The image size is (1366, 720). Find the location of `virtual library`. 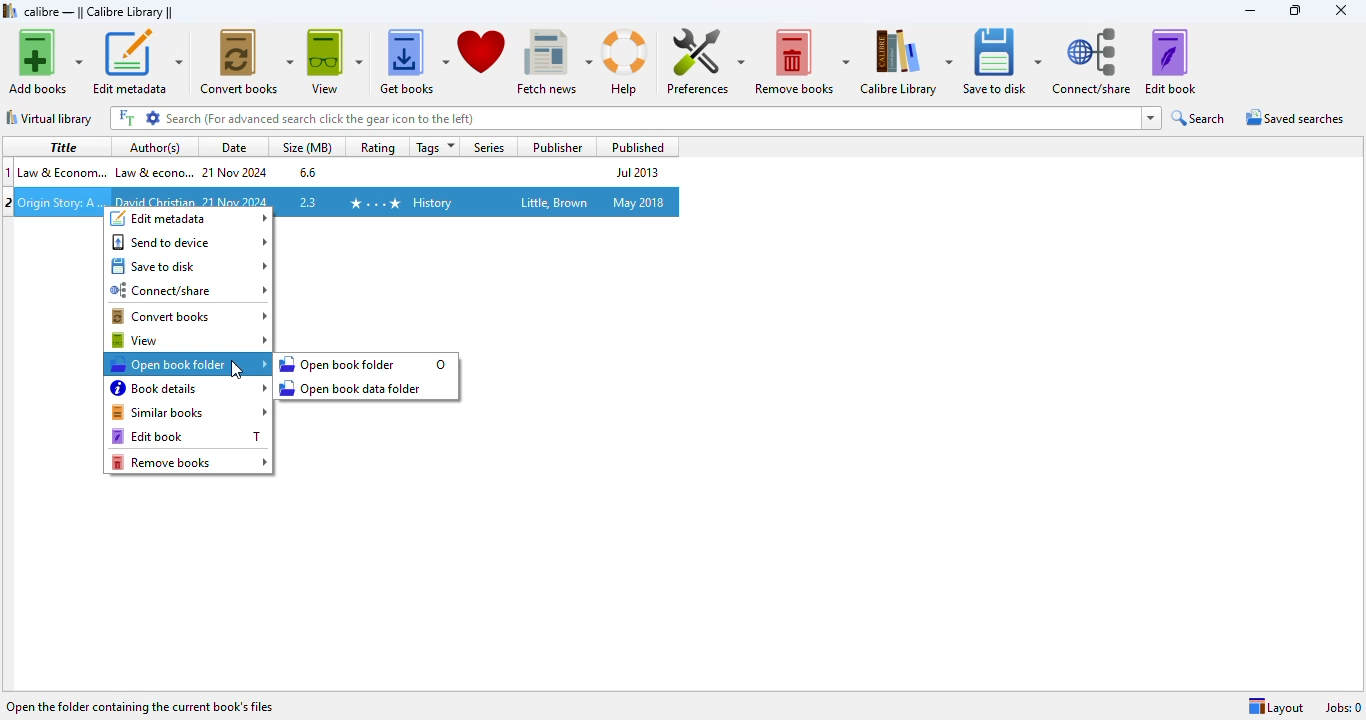

virtual library is located at coordinates (50, 118).